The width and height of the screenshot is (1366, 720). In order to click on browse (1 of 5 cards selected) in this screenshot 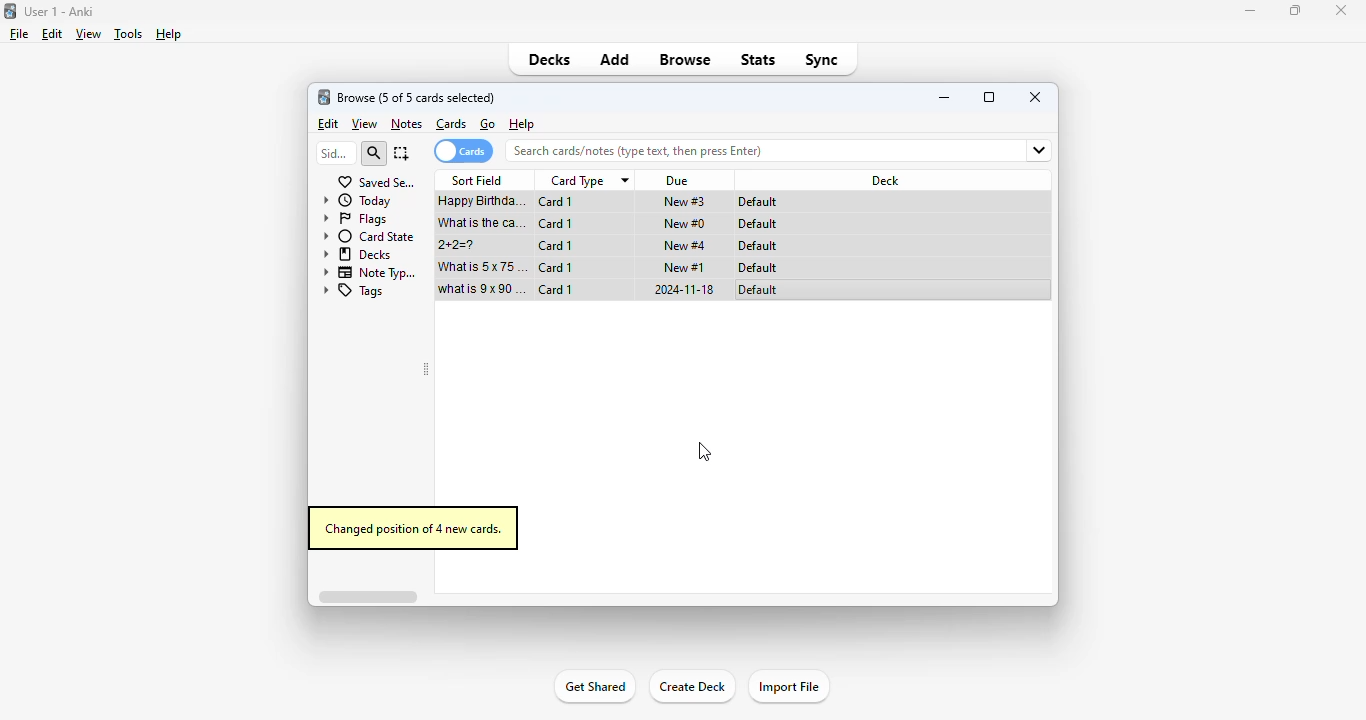, I will do `click(416, 98)`.